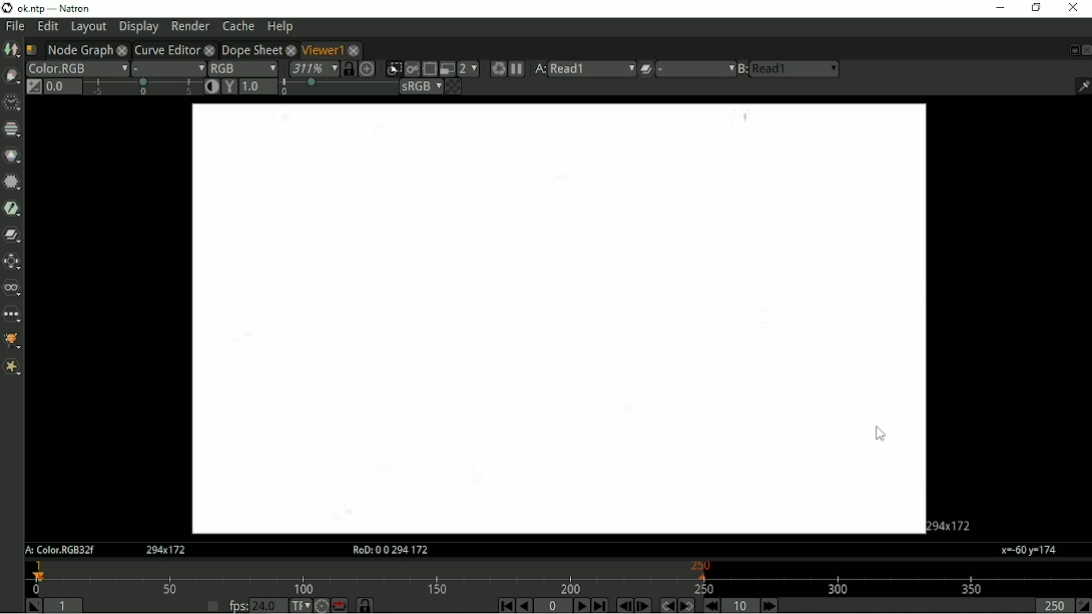  I want to click on Transform, so click(12, 262).